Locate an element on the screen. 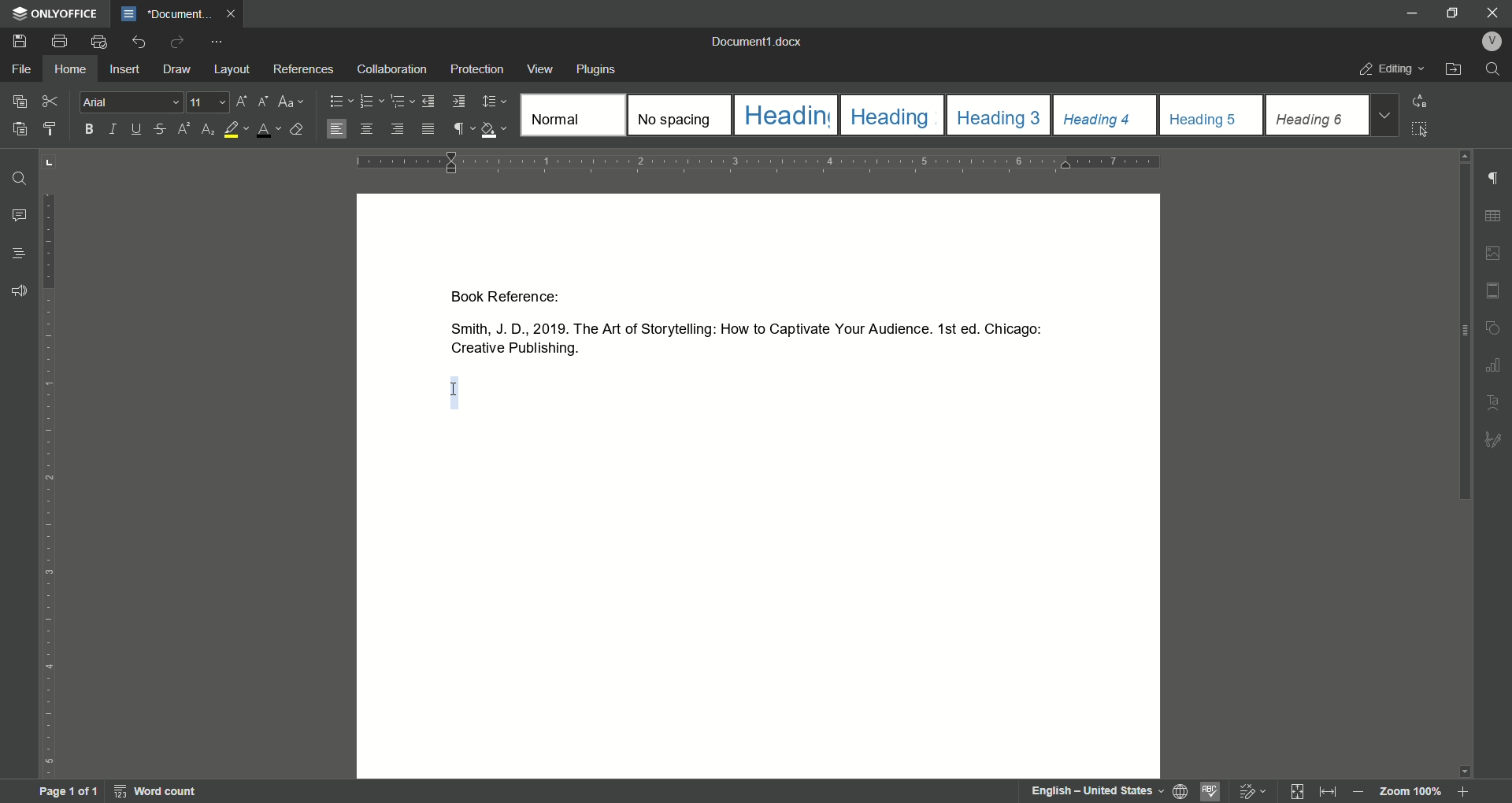 The width and height of the screenshot is (1512, 803). superscript is located at coordinates (182, 130).